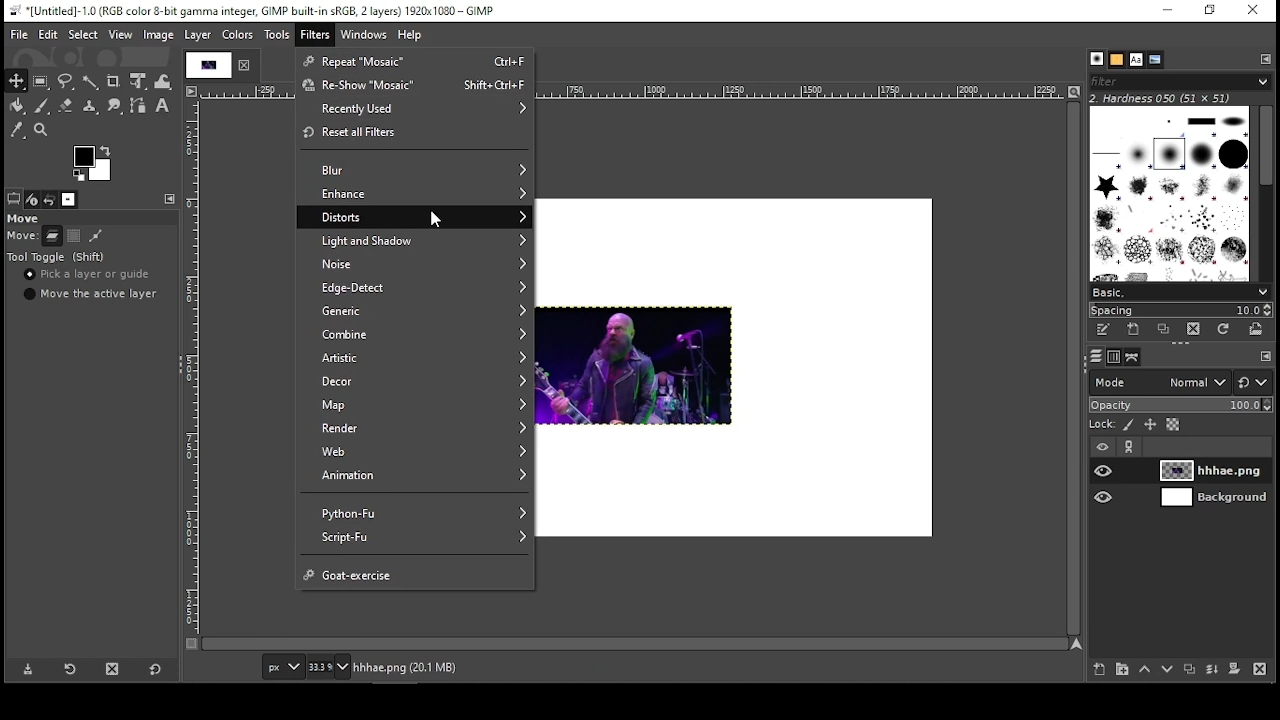 The width and height of the screenshot is (1280, 720). What do you see at coordinates (410, 36) in the screenshot?
I see `help` at bounding box center [410, 36].